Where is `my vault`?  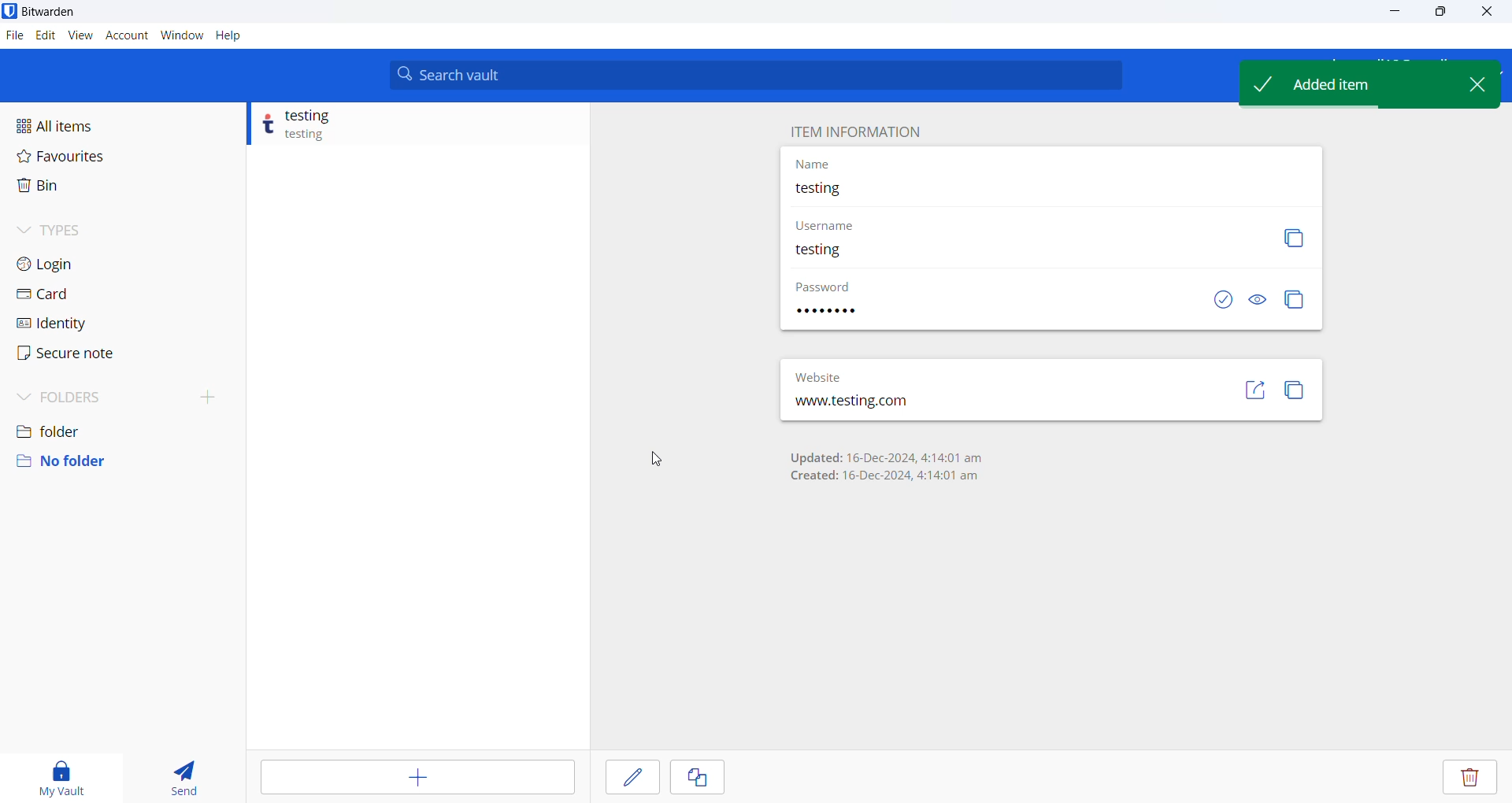 my vault is located at coordinates (62, 774).